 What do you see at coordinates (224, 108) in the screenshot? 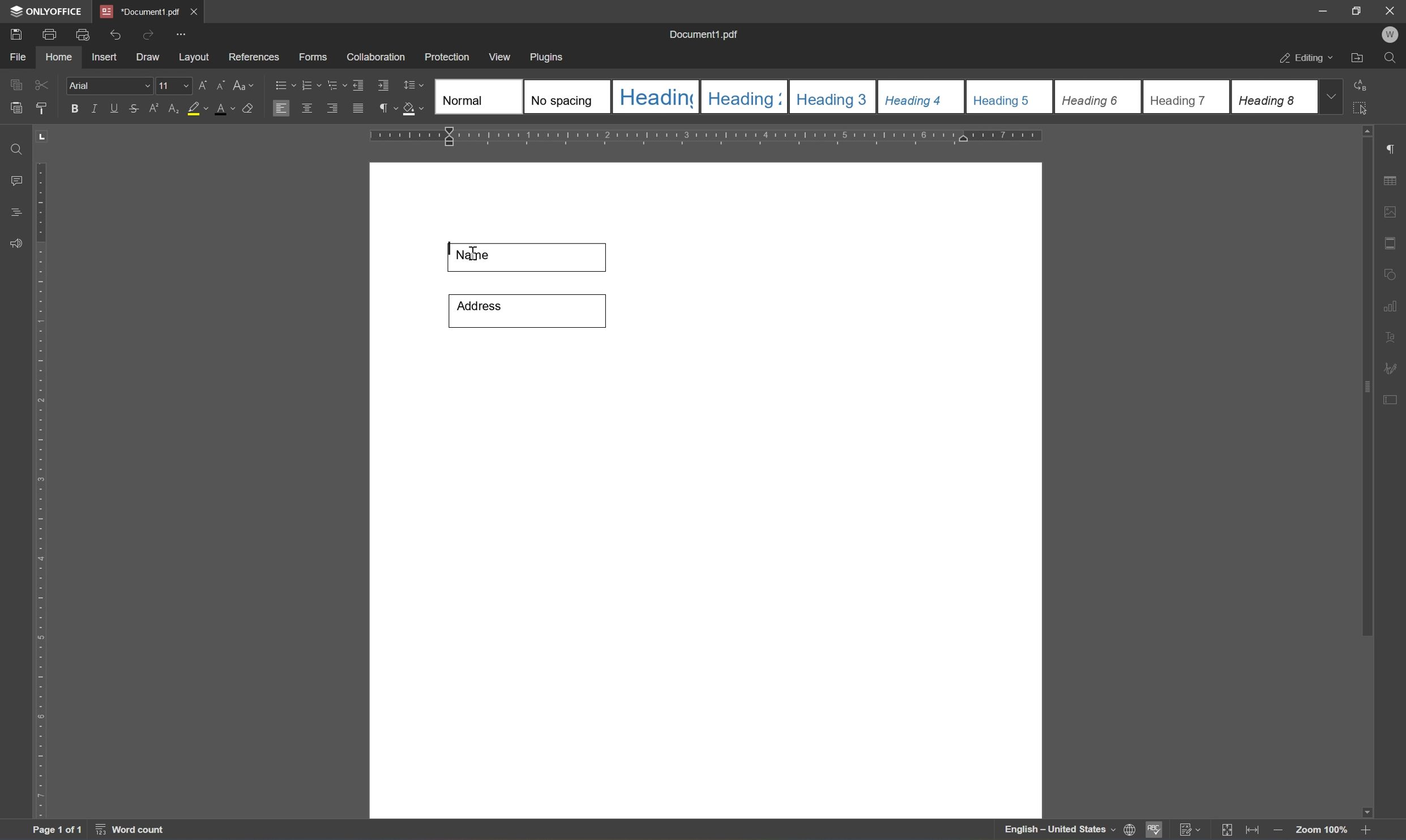
I see `font color` at bounding box center [224, 108].